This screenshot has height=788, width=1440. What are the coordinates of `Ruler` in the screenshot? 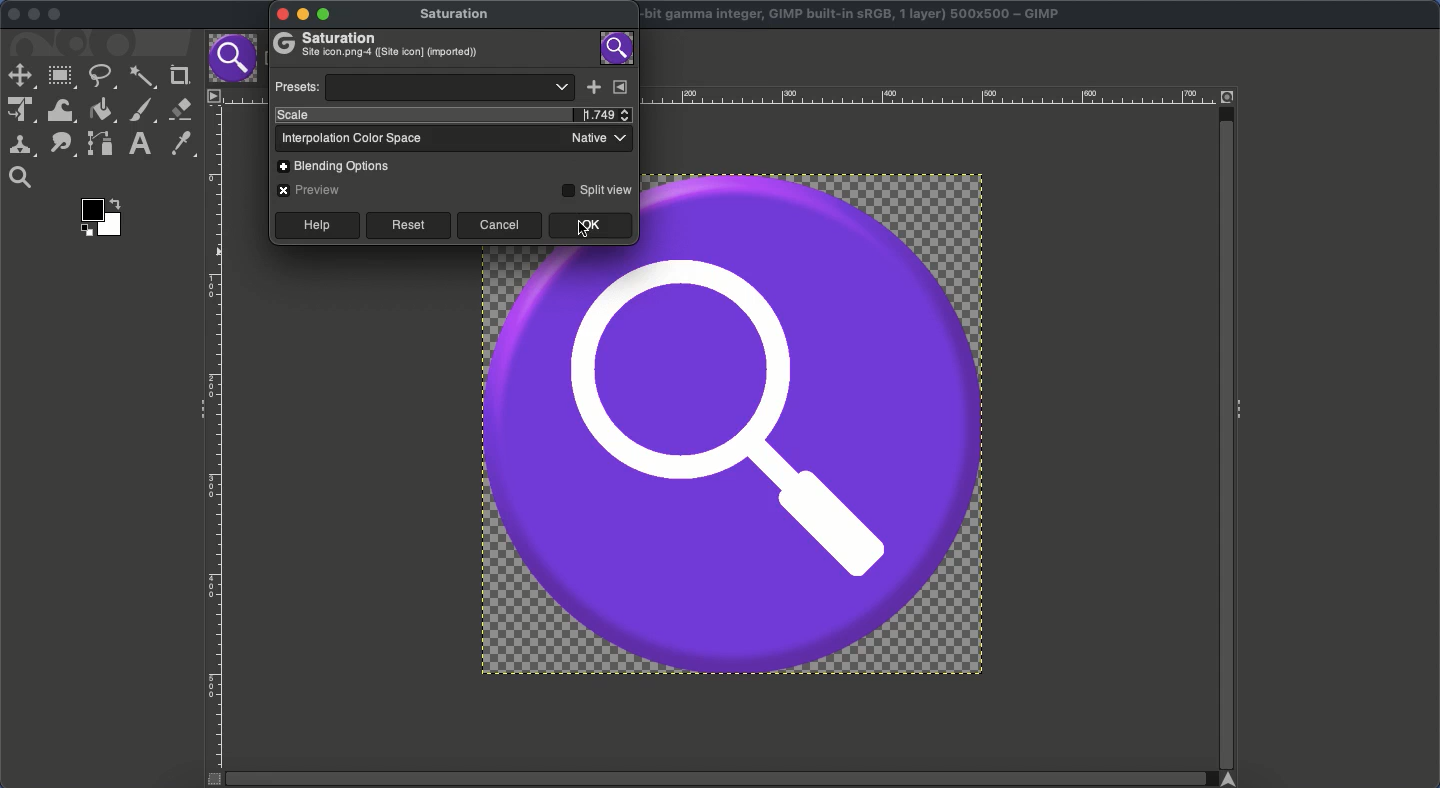 It's located at (217, 438).